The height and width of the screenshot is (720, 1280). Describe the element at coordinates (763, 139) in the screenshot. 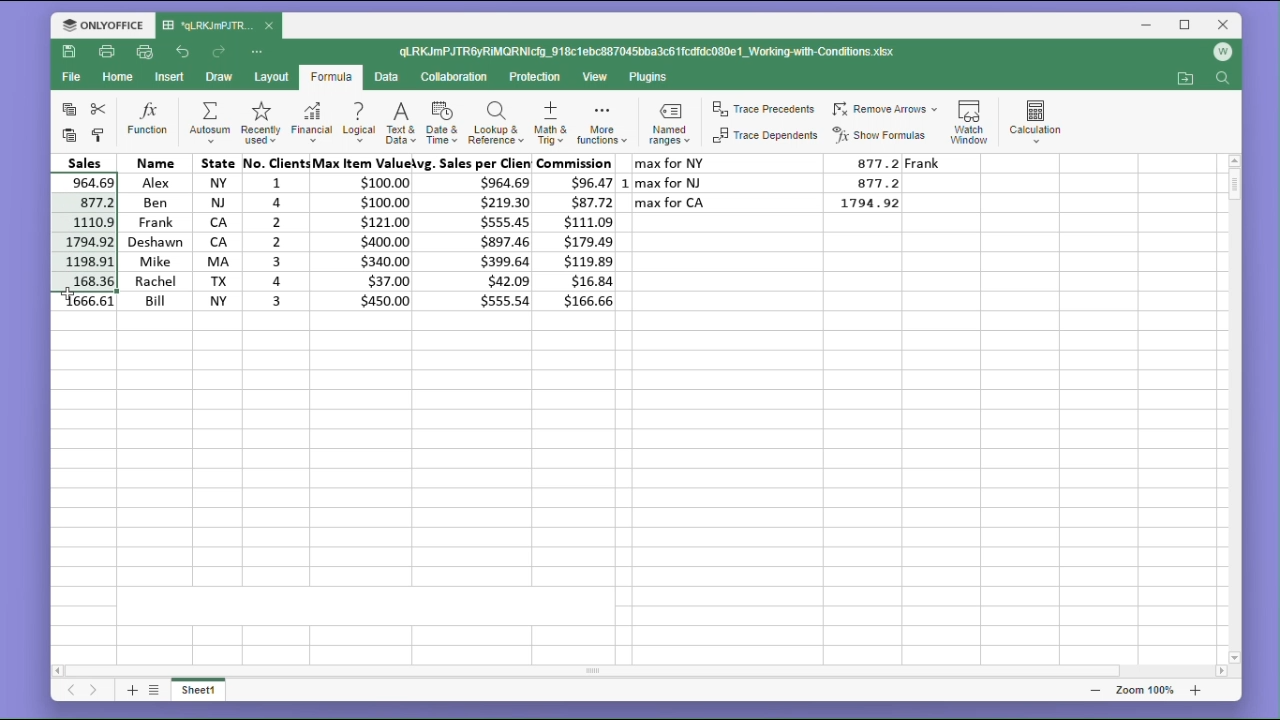

I see `trace dependents` at that location.